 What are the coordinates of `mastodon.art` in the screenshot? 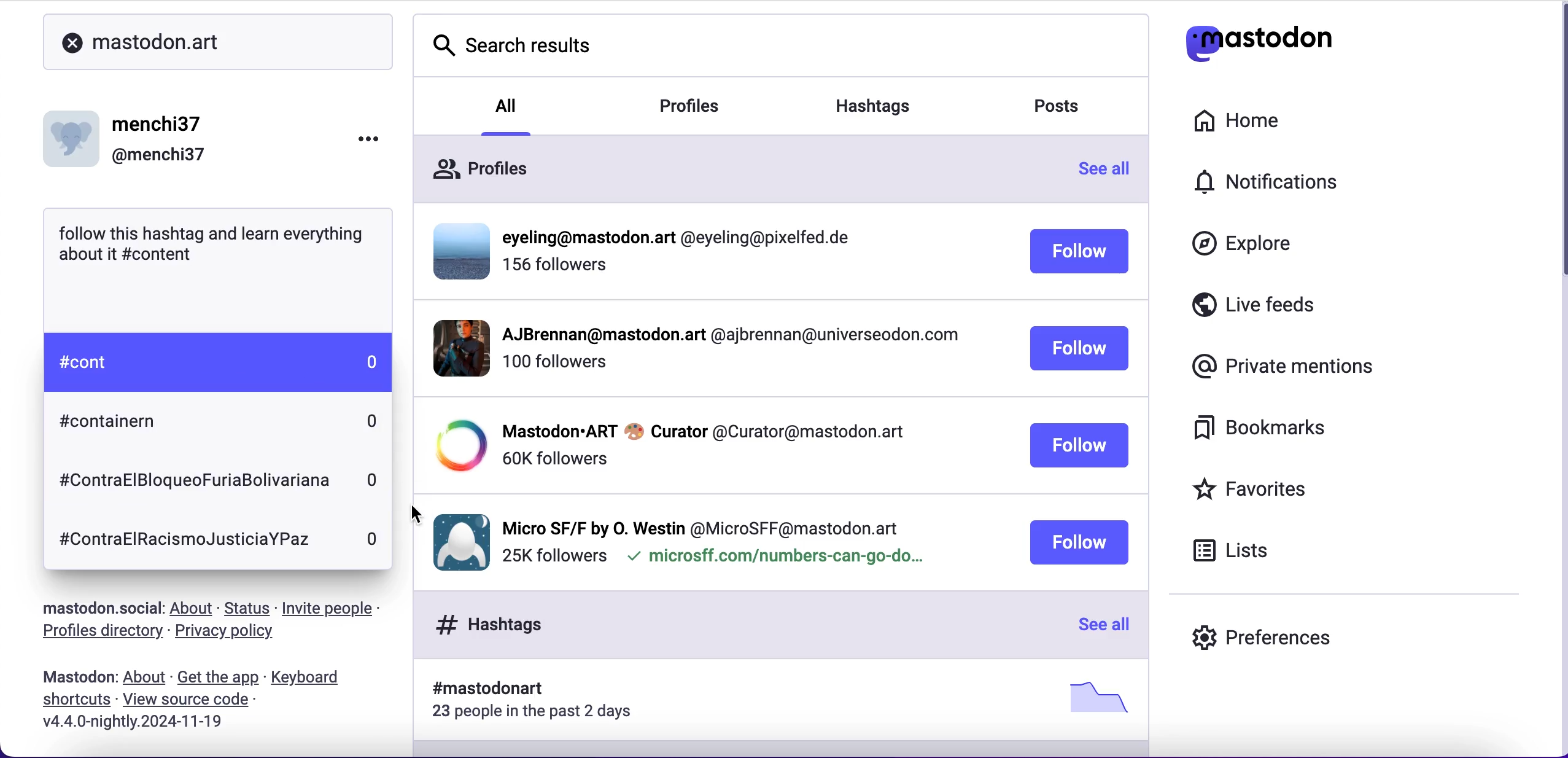 It's located at (220, 42).